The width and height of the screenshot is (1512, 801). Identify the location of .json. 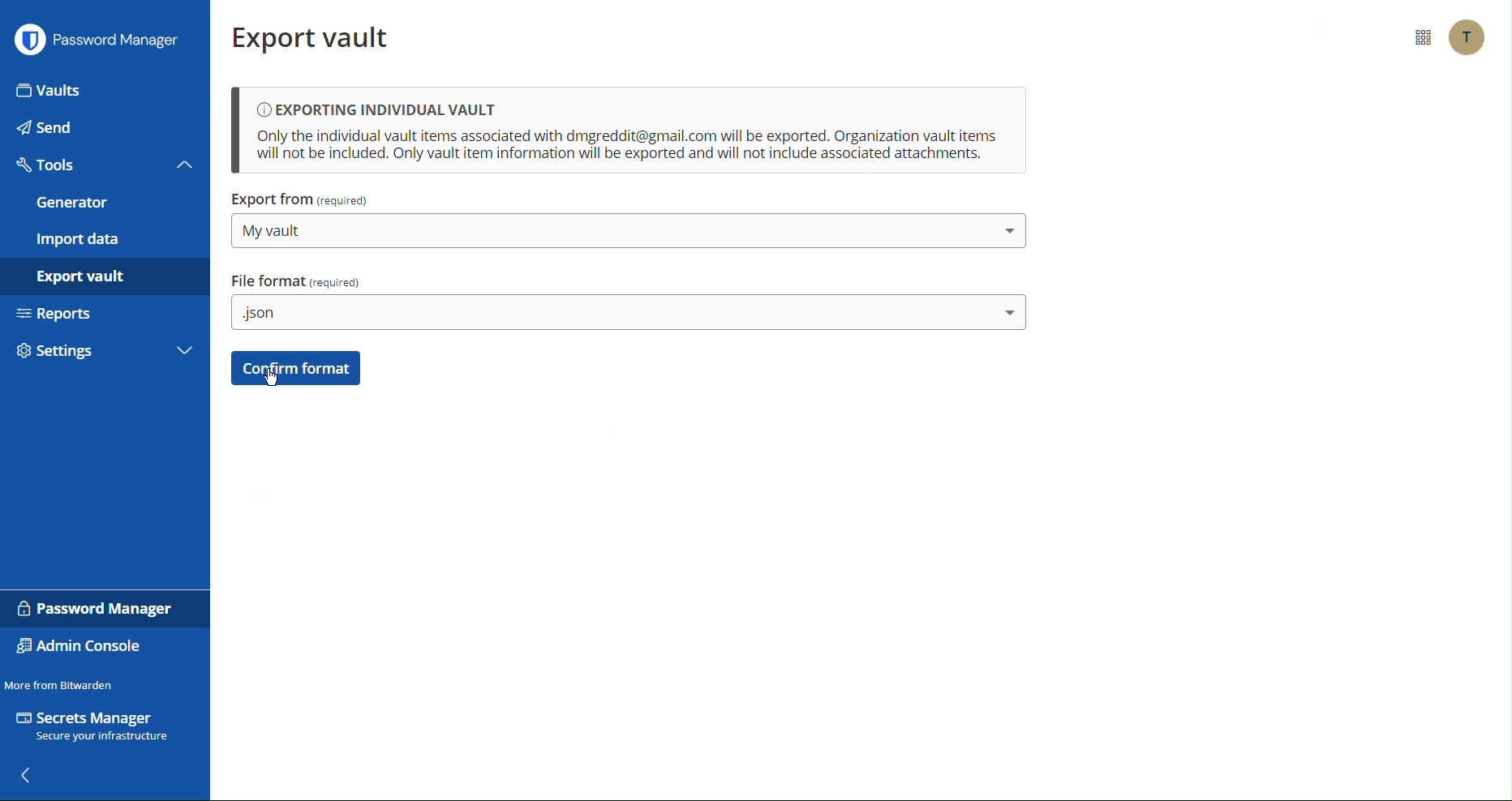
(634, 318).